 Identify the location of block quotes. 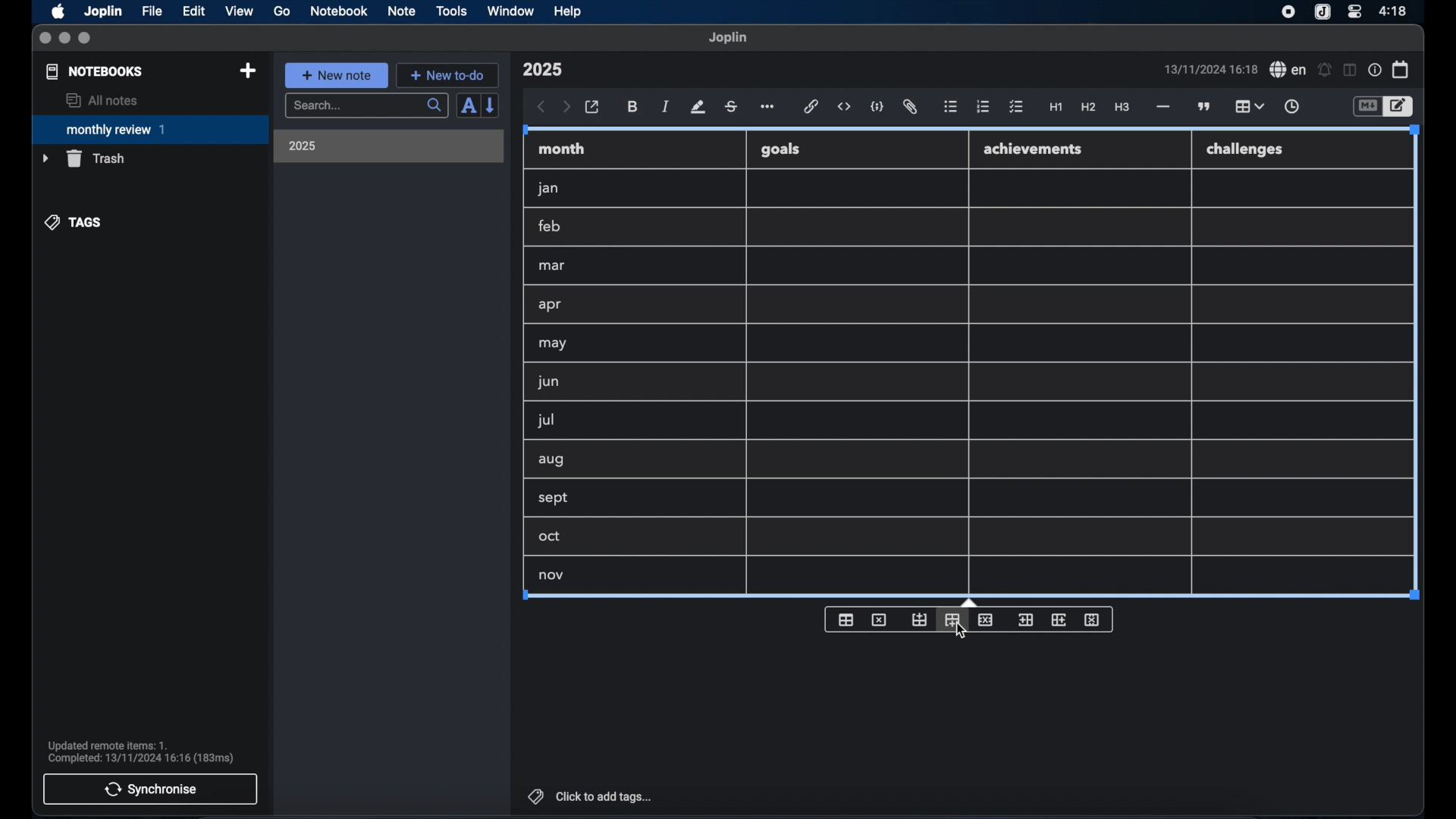
(1205, 107).